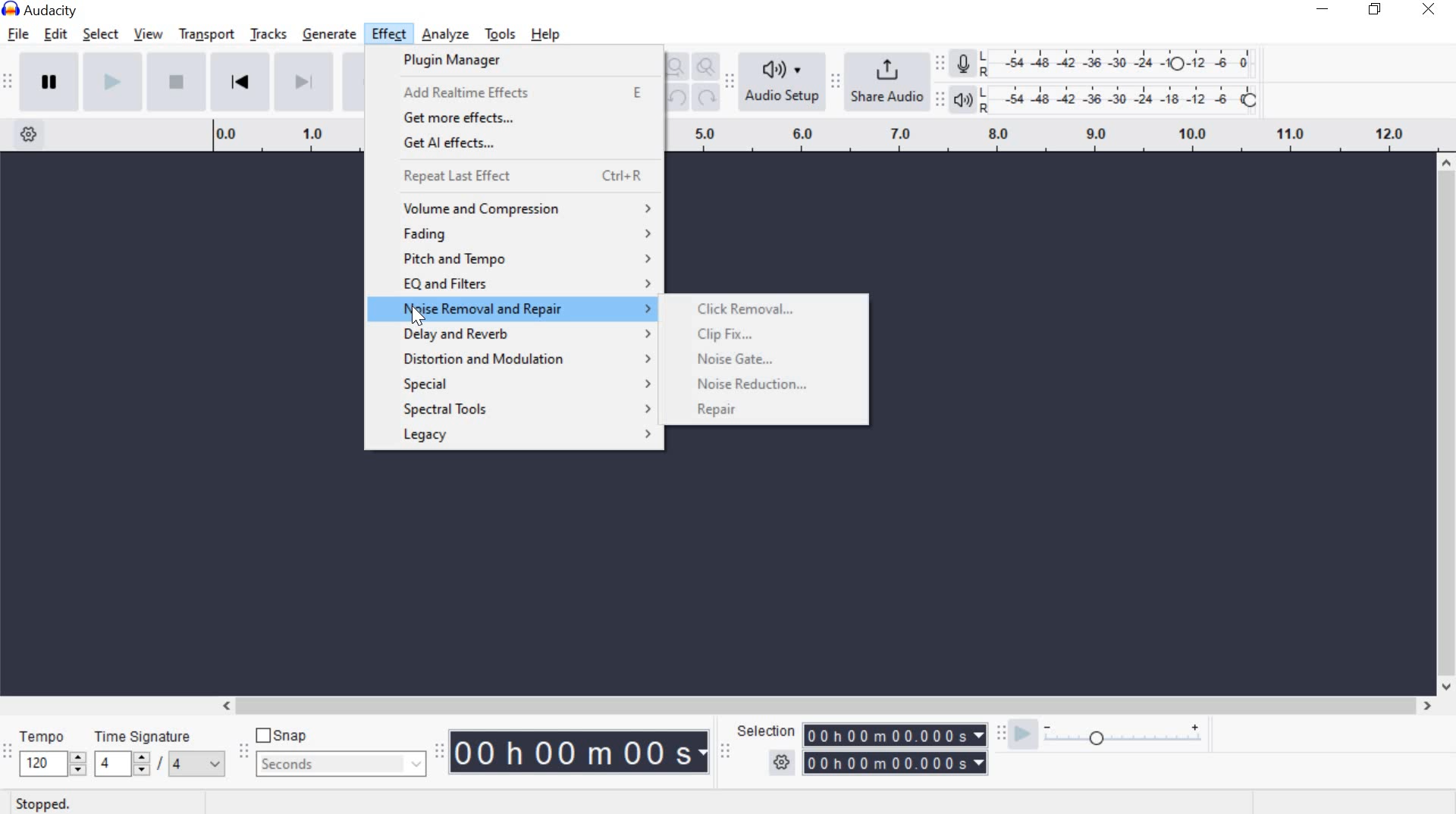 This screenshot has height=814, width=1456. What do you see at coordinates (526, 210) in the screenshot?
I see `volume and compression` at bounding box center [526, 210].